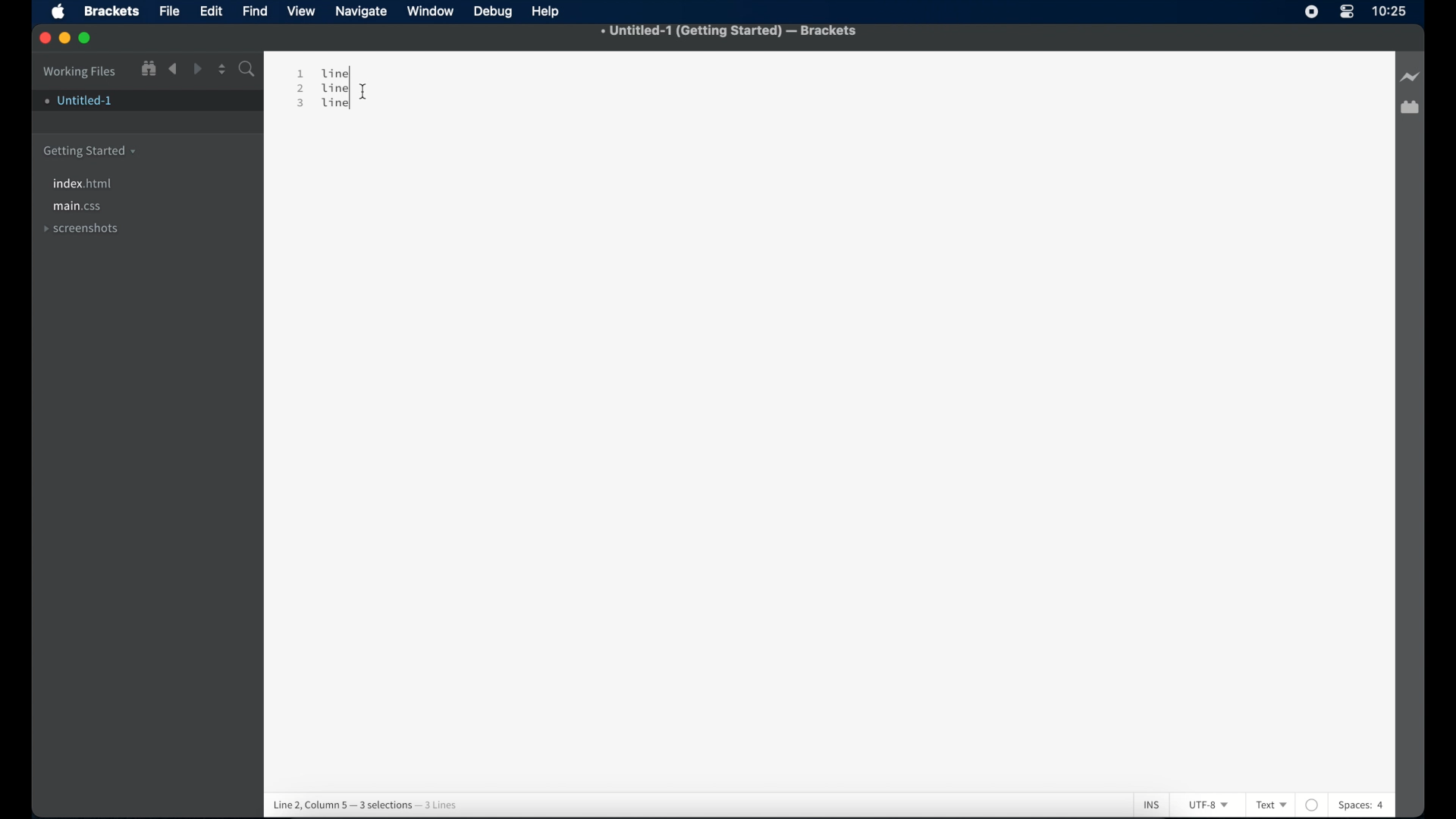 This screenshot has height=819, width=1456. Describe the element at coordinates (1411, 74) in the screenshot. I see `live preview` at that location.